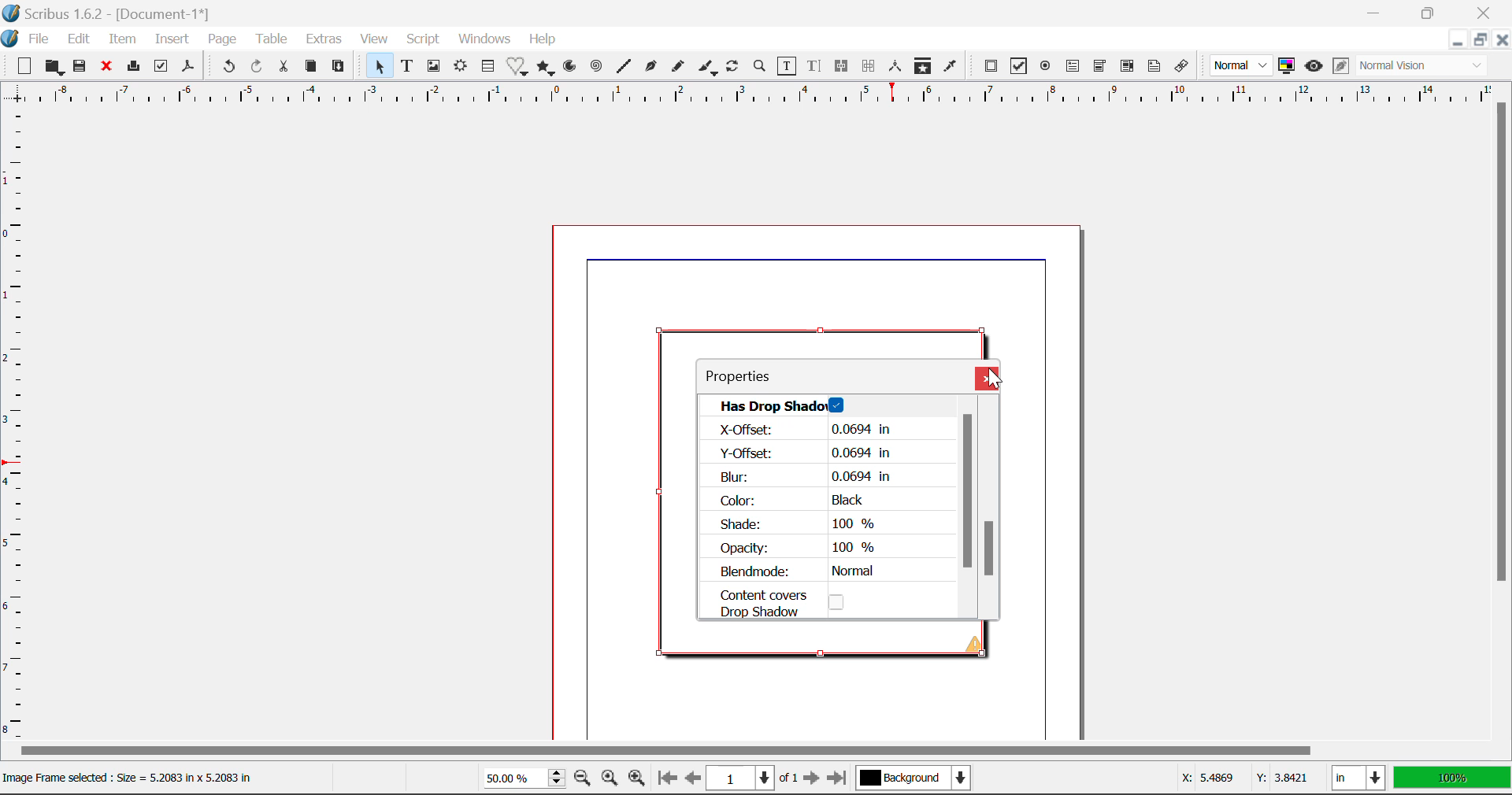  What do you see at coordinates (79, 41) in the screenshot?
I see `Edit` at bounding box center [79, 41].